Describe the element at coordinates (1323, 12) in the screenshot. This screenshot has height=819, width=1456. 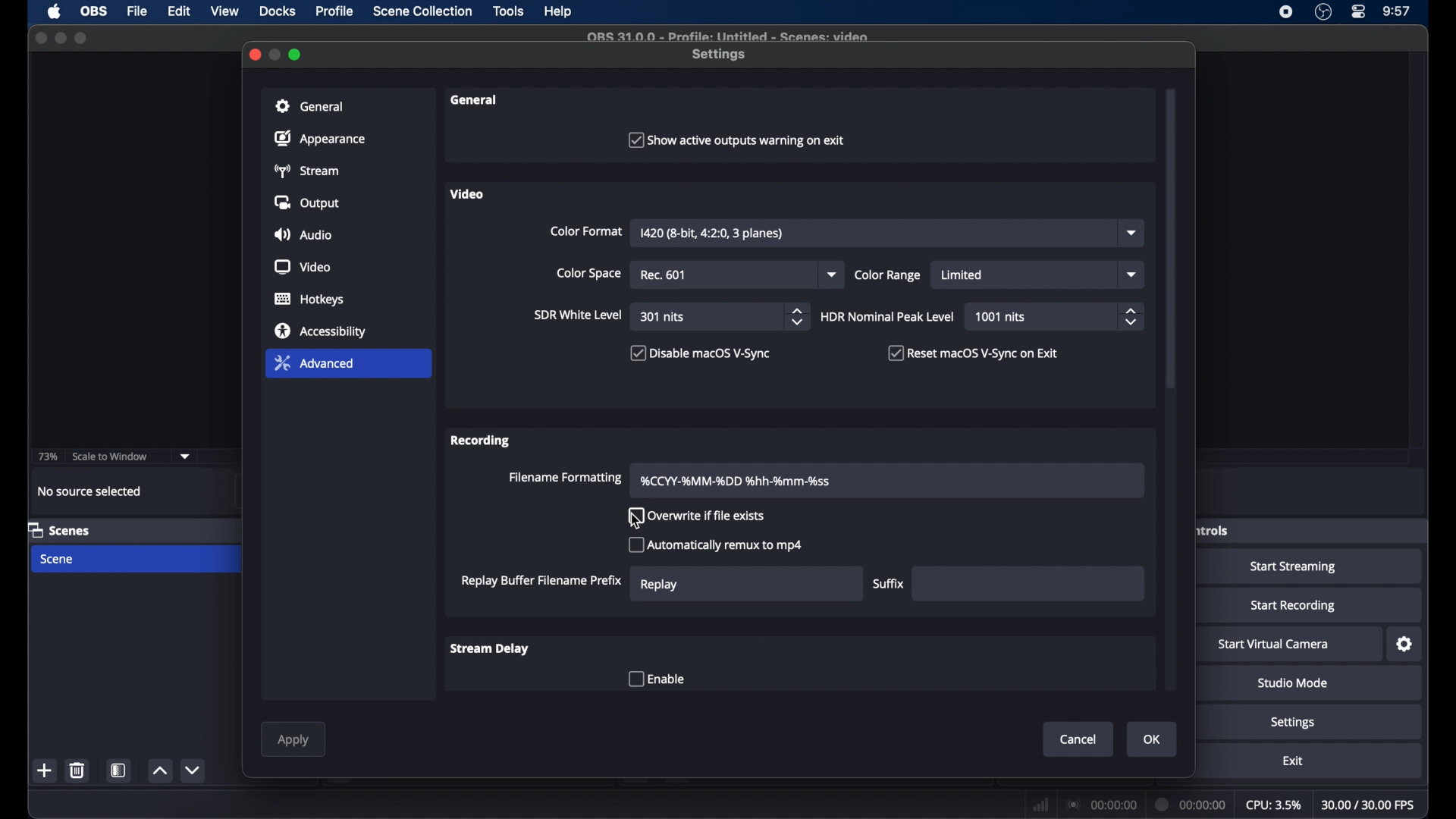
I see `obs studio` at that location.